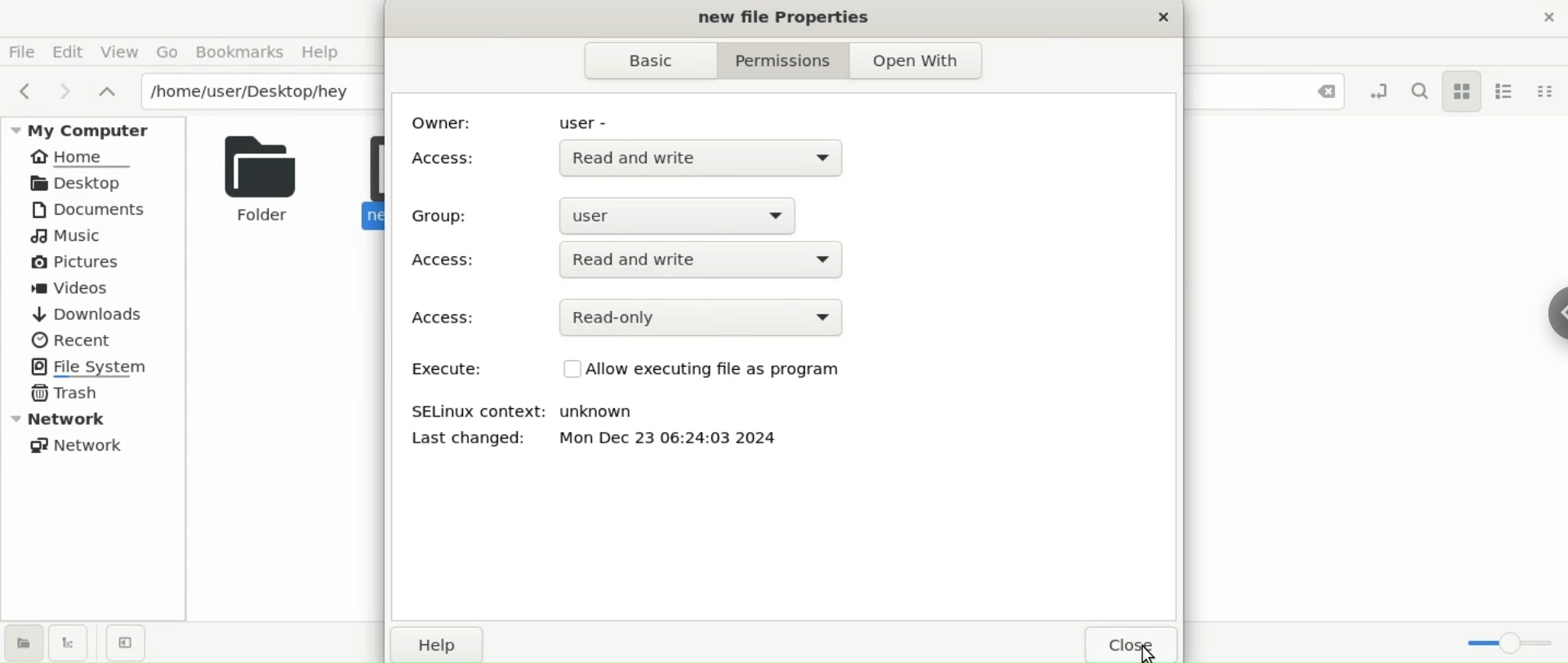 This screenshot has width=1568, height=663. What do you see at coordinates (62, 90) in the screenshot?
I see `next` at bounding box center [62, 90].